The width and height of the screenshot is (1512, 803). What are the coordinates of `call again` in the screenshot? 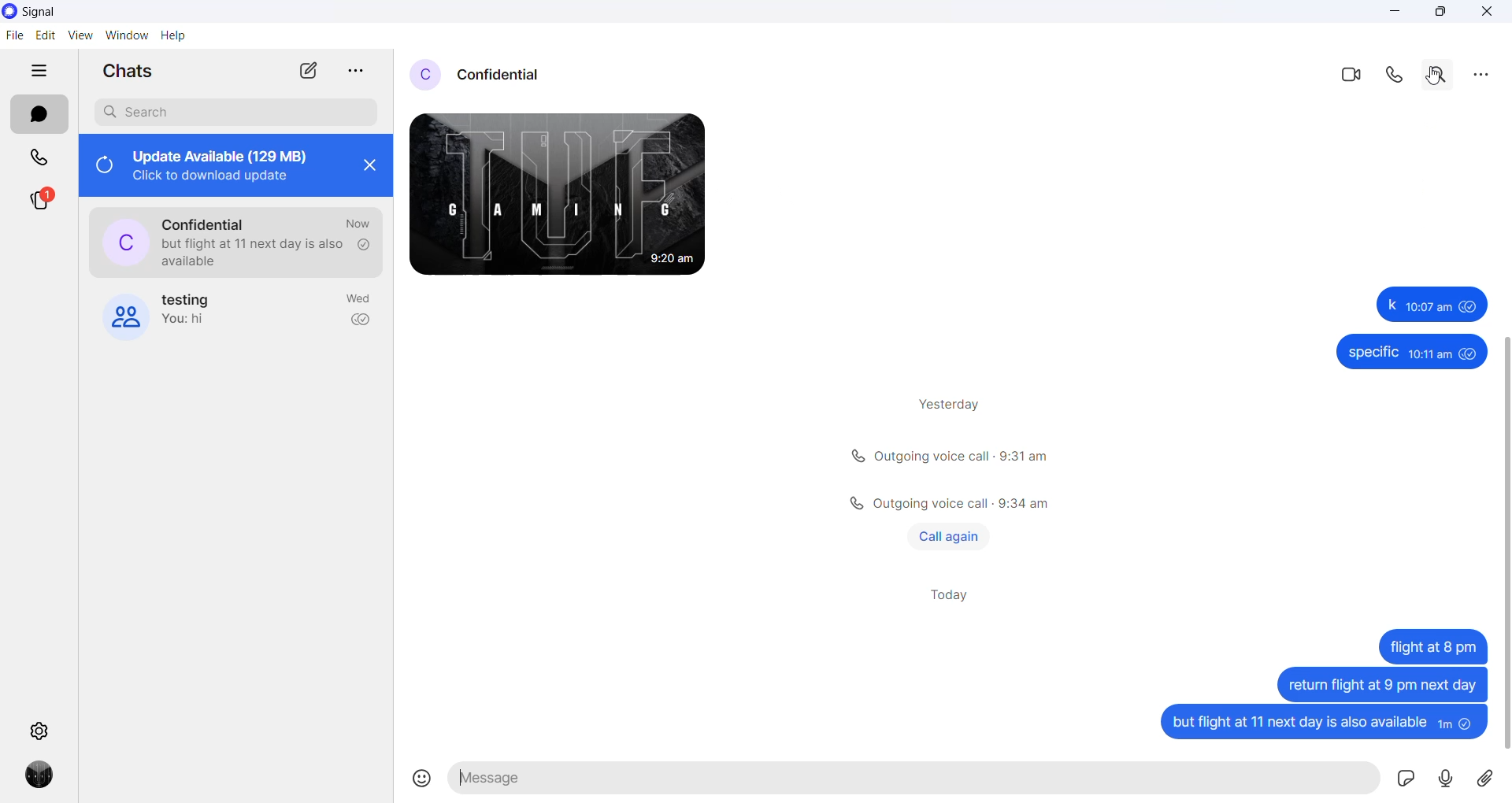 It's located at (949, 535).